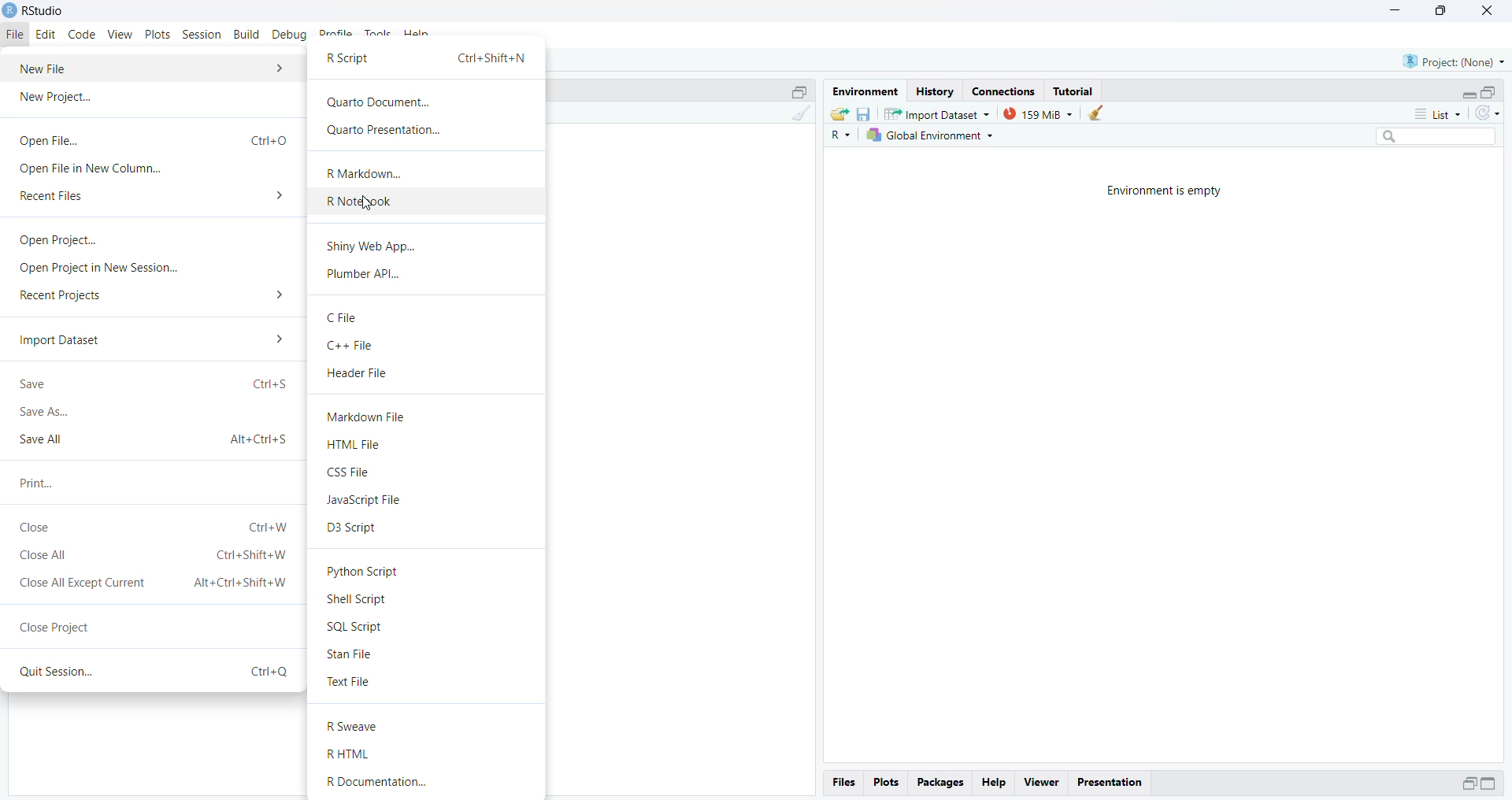 The image size is (1512, 800). What do you see at coordinates (1008, 91) in the screenshot?
I see `connections` at bounding box center [1008, 91].